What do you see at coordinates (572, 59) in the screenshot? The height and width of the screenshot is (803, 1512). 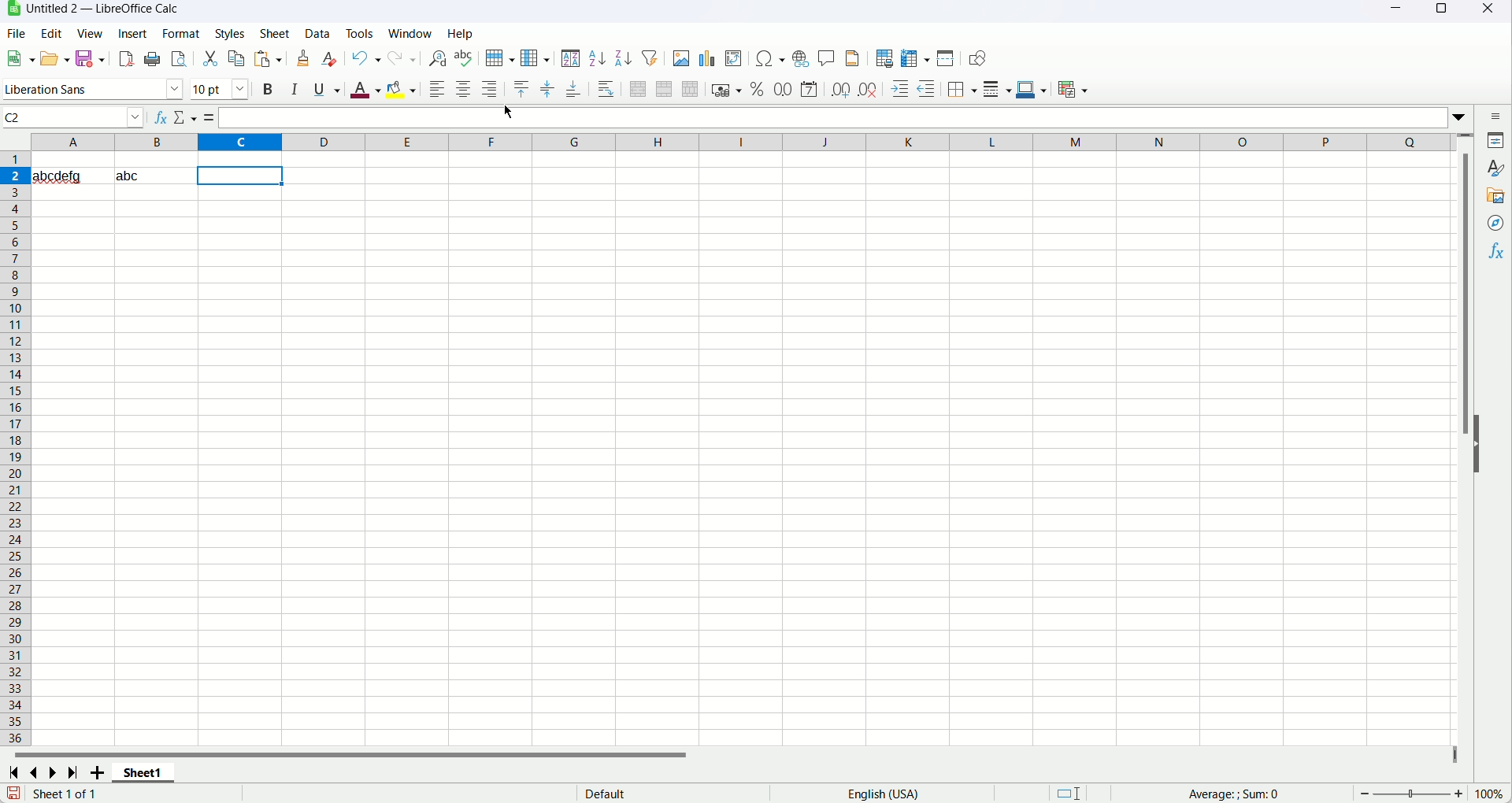 I see `sort` at bounding box center [572, 59].